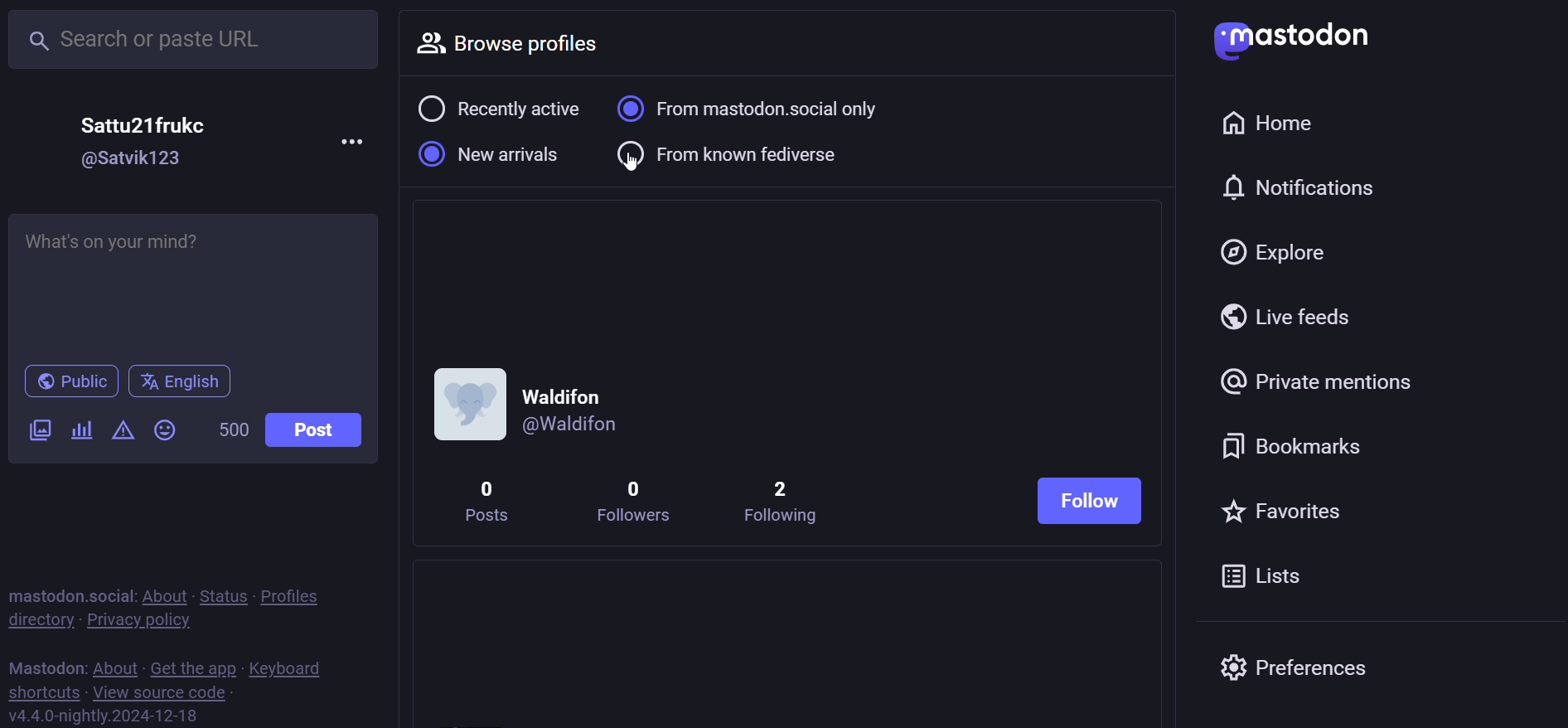 The width and height of the screenshot is (1568, 728). What do you see at coordinates (133, 624) in the screenshot?
I see `private policy` at bounding box center [133, 624].